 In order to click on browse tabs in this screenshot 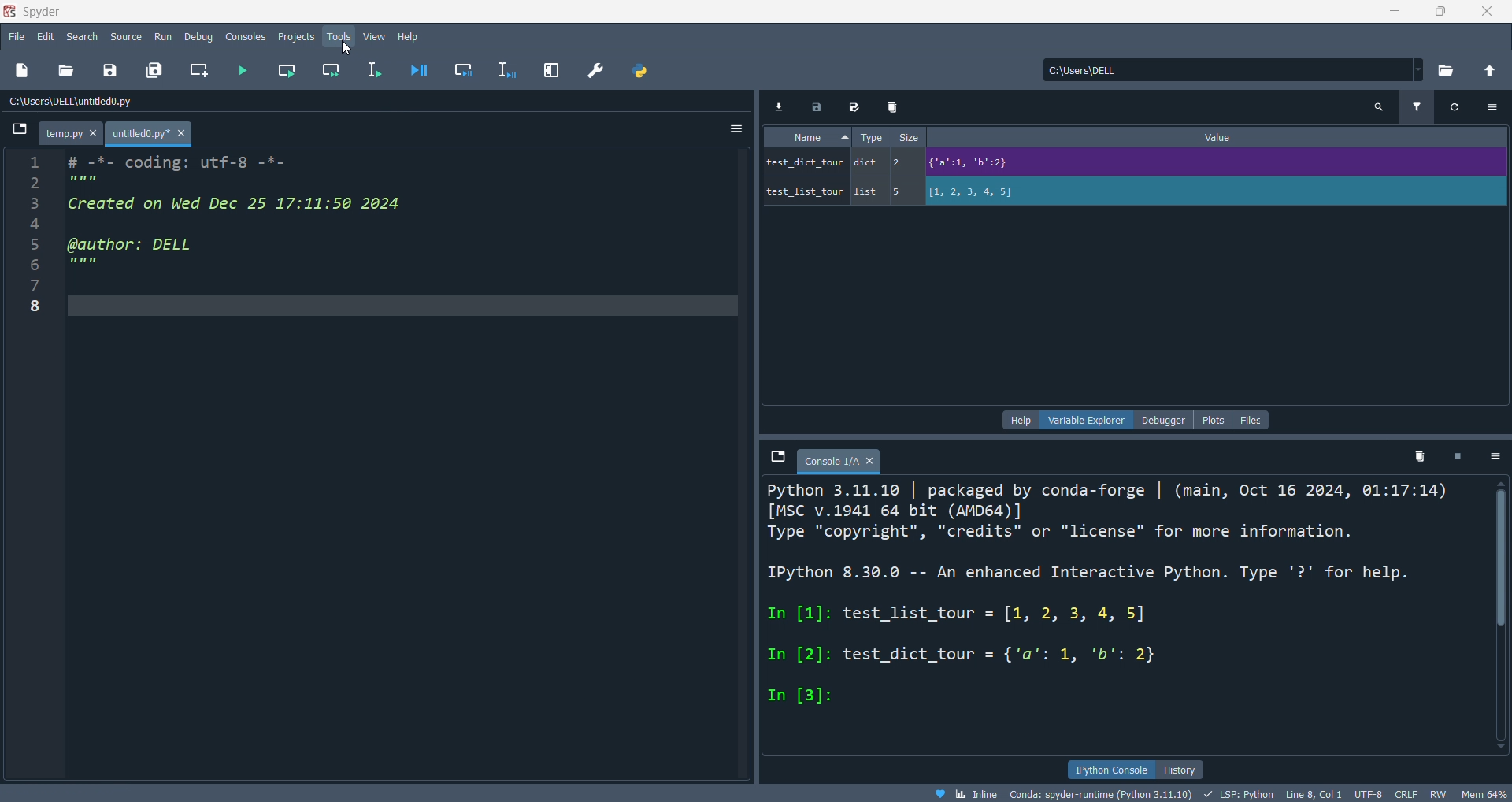, I will do `click(778, 457)`.